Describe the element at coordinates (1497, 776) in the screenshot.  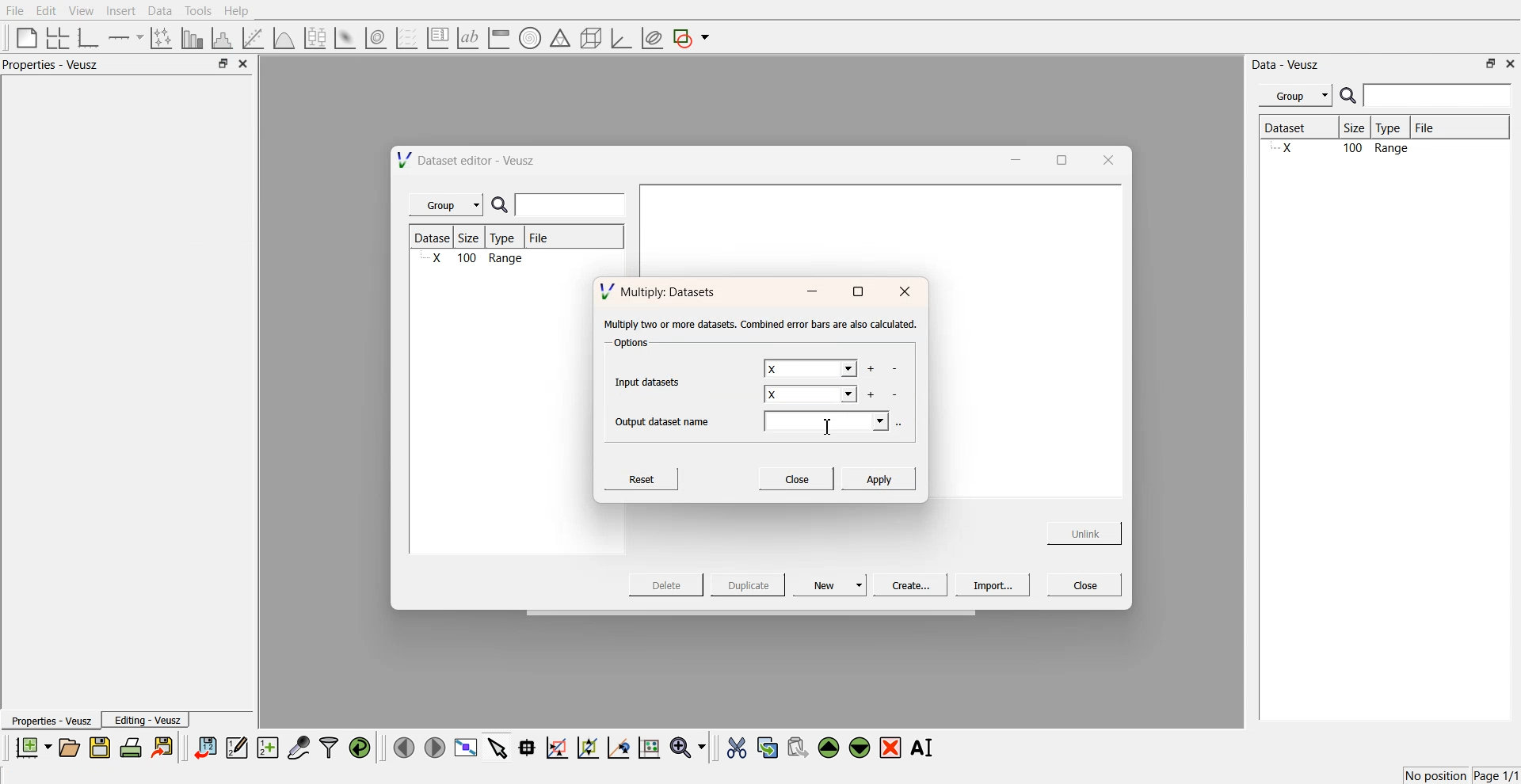
I see `Page 1/1` at that location.